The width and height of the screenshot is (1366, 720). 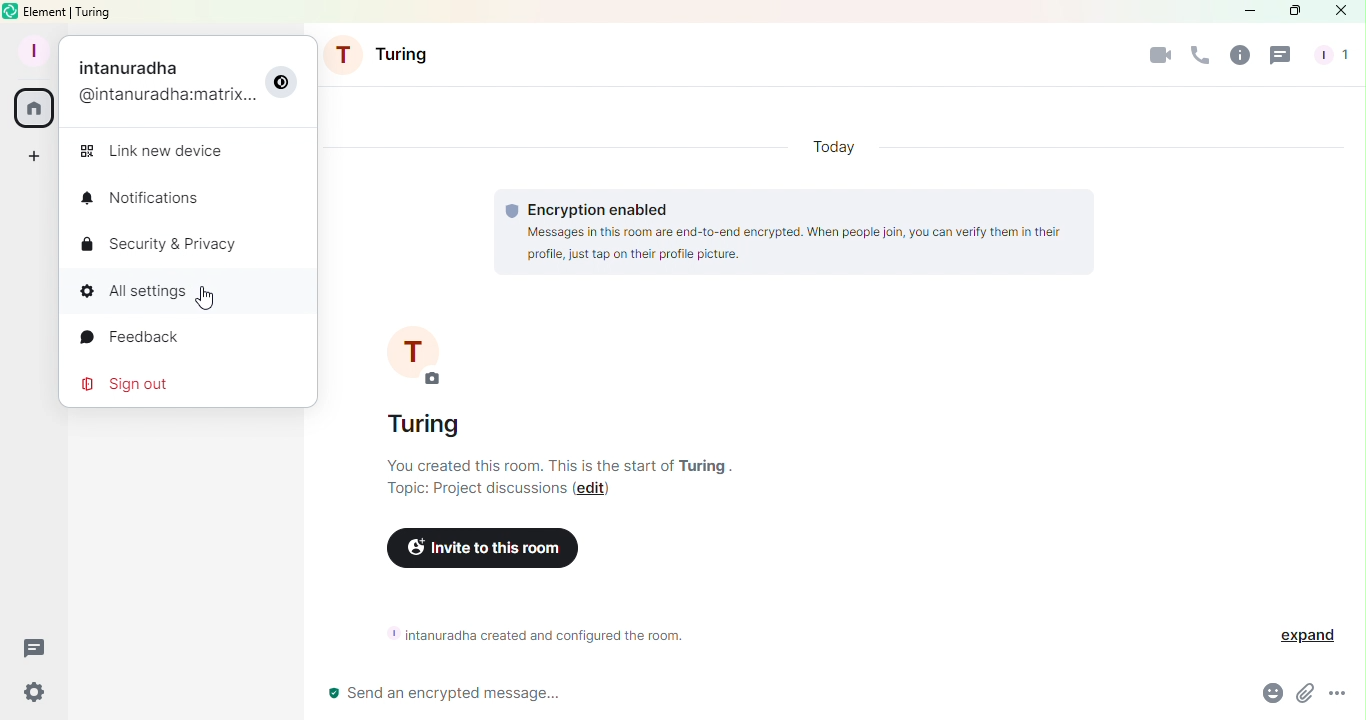 I want to click on Topic, so click(x=477, y=488).